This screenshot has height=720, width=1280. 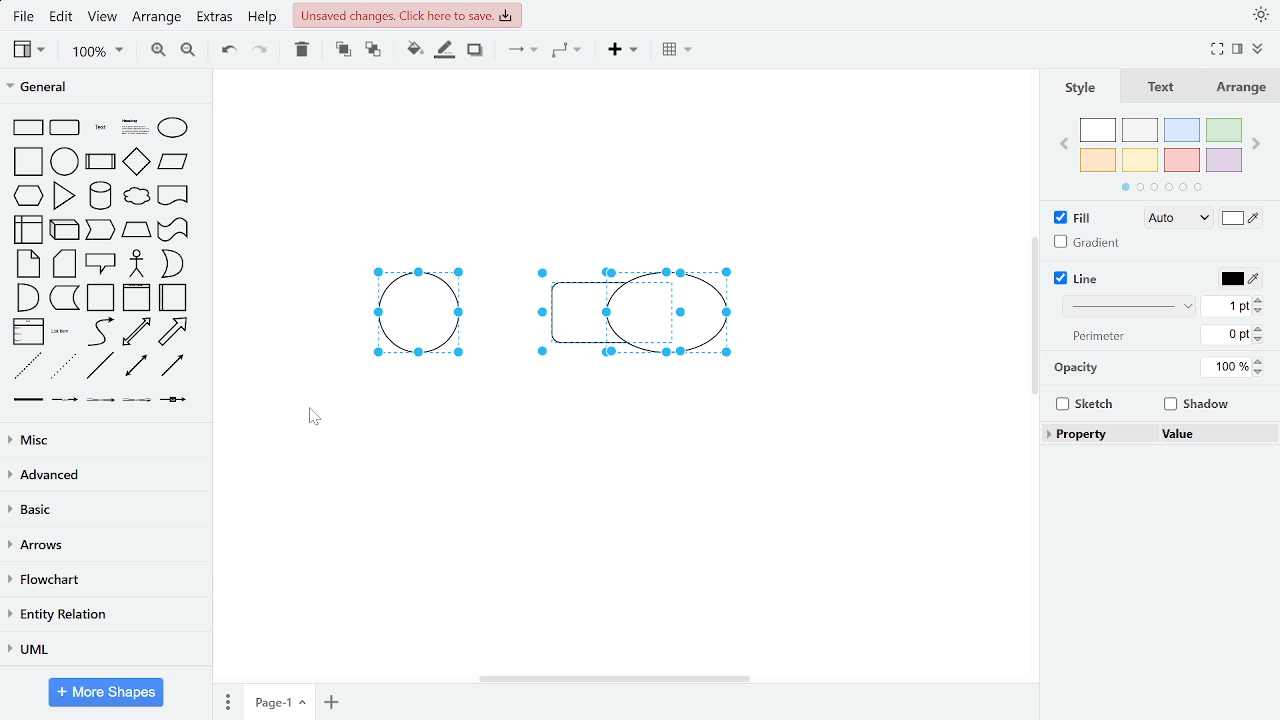 What do you see at coordinates (1032, 314) in the screenshot?
I see `vertical scrollbar` at bounding box center [1032, 314].